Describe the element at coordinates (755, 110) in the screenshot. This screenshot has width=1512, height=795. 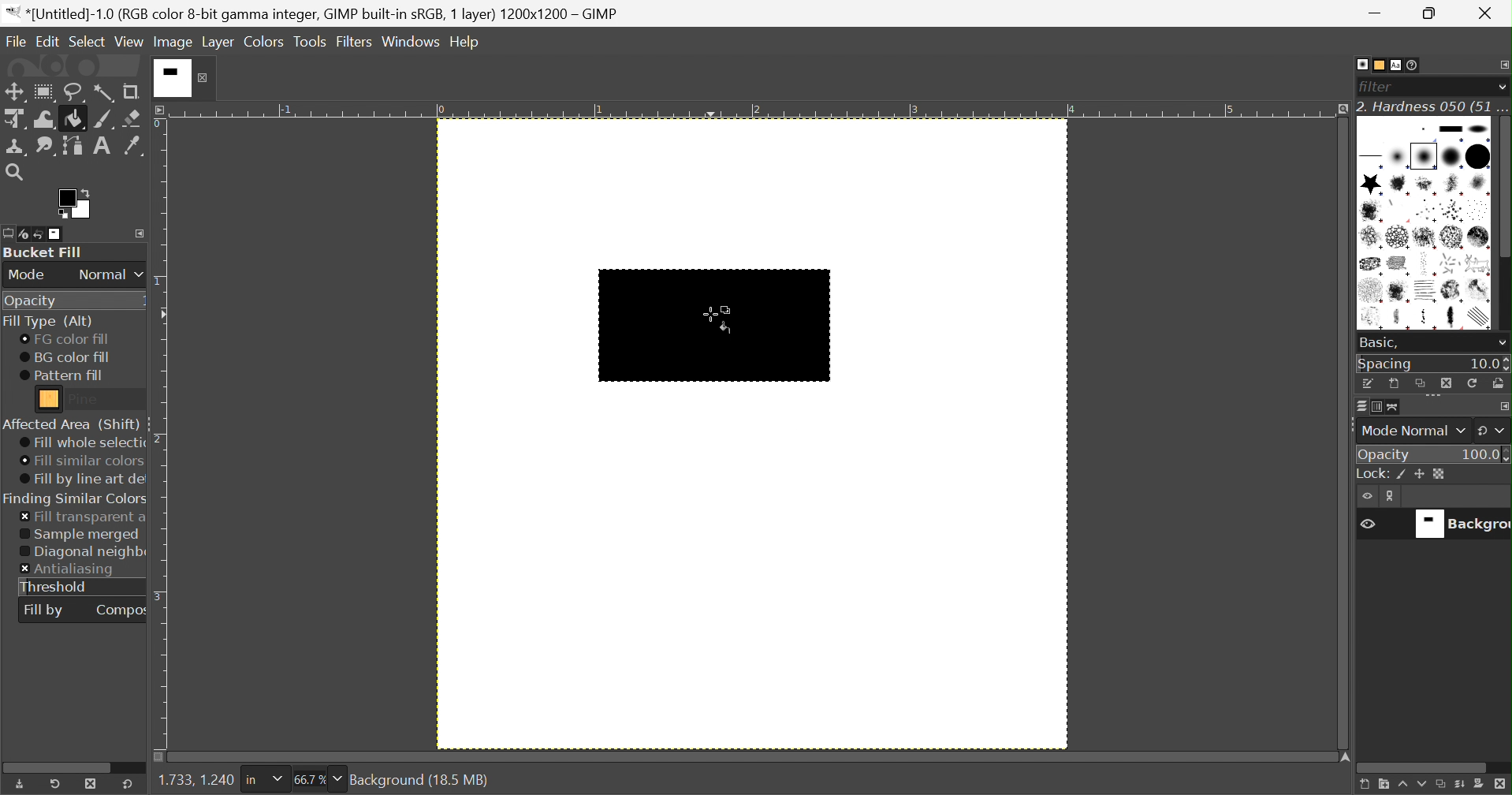
I see `2` at that location.